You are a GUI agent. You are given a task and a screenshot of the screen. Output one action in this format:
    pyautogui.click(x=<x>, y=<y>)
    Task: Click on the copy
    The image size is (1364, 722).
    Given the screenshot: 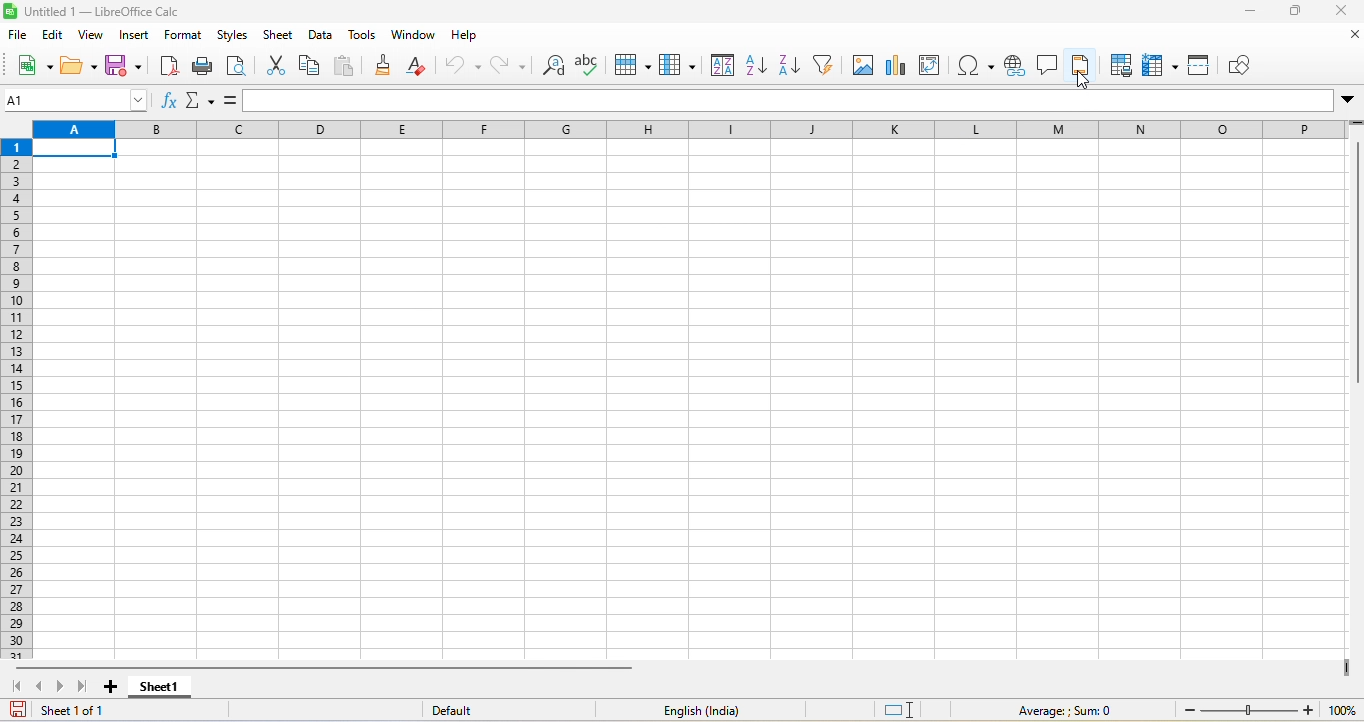 What is the action you would take?
    pyautogui.click(x=311, y=68)
    